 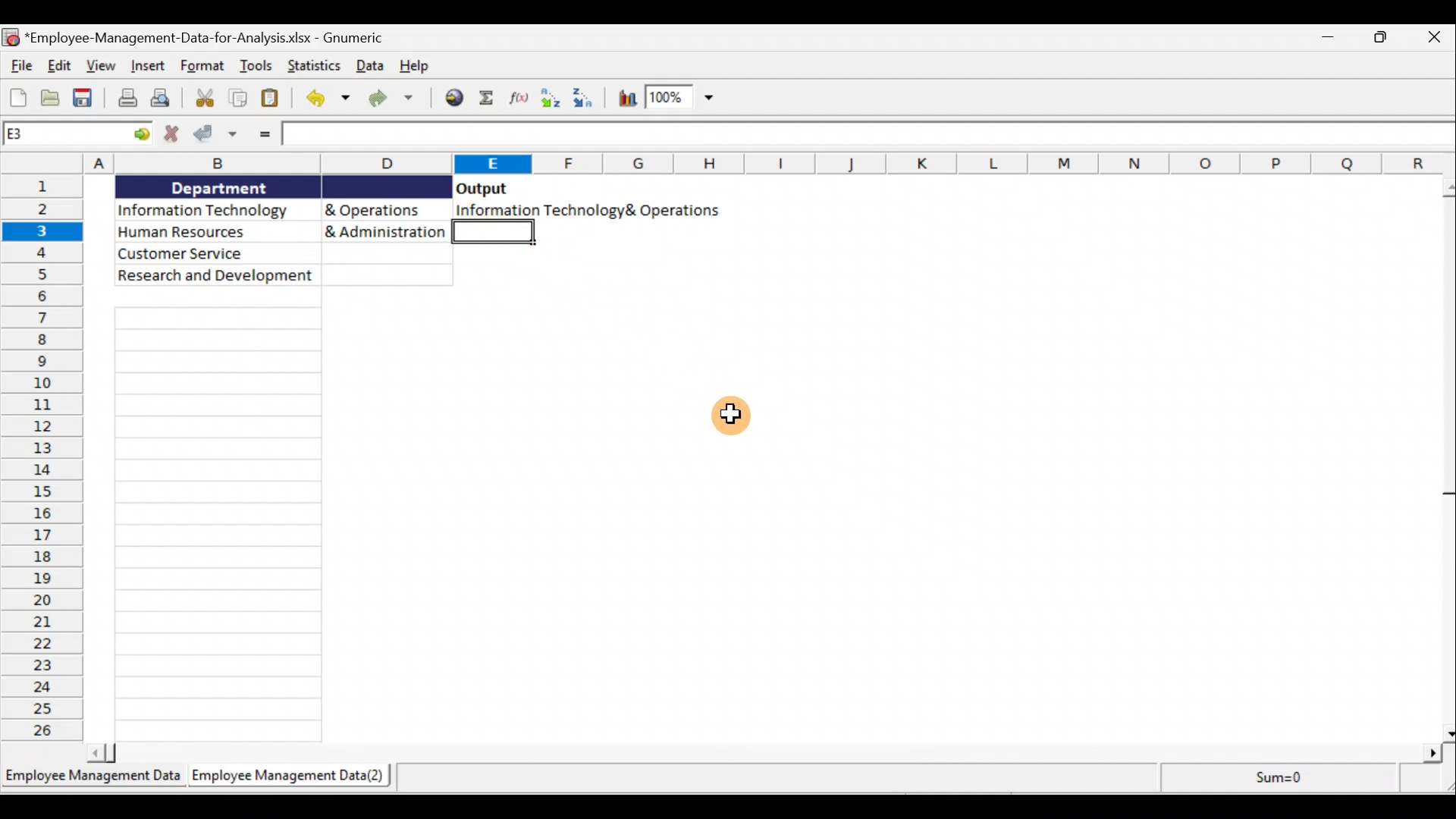 What do you see at coordinates (94, 781) in the screenshot?
I see `Sheet 1` at bounding box center [94, 781].